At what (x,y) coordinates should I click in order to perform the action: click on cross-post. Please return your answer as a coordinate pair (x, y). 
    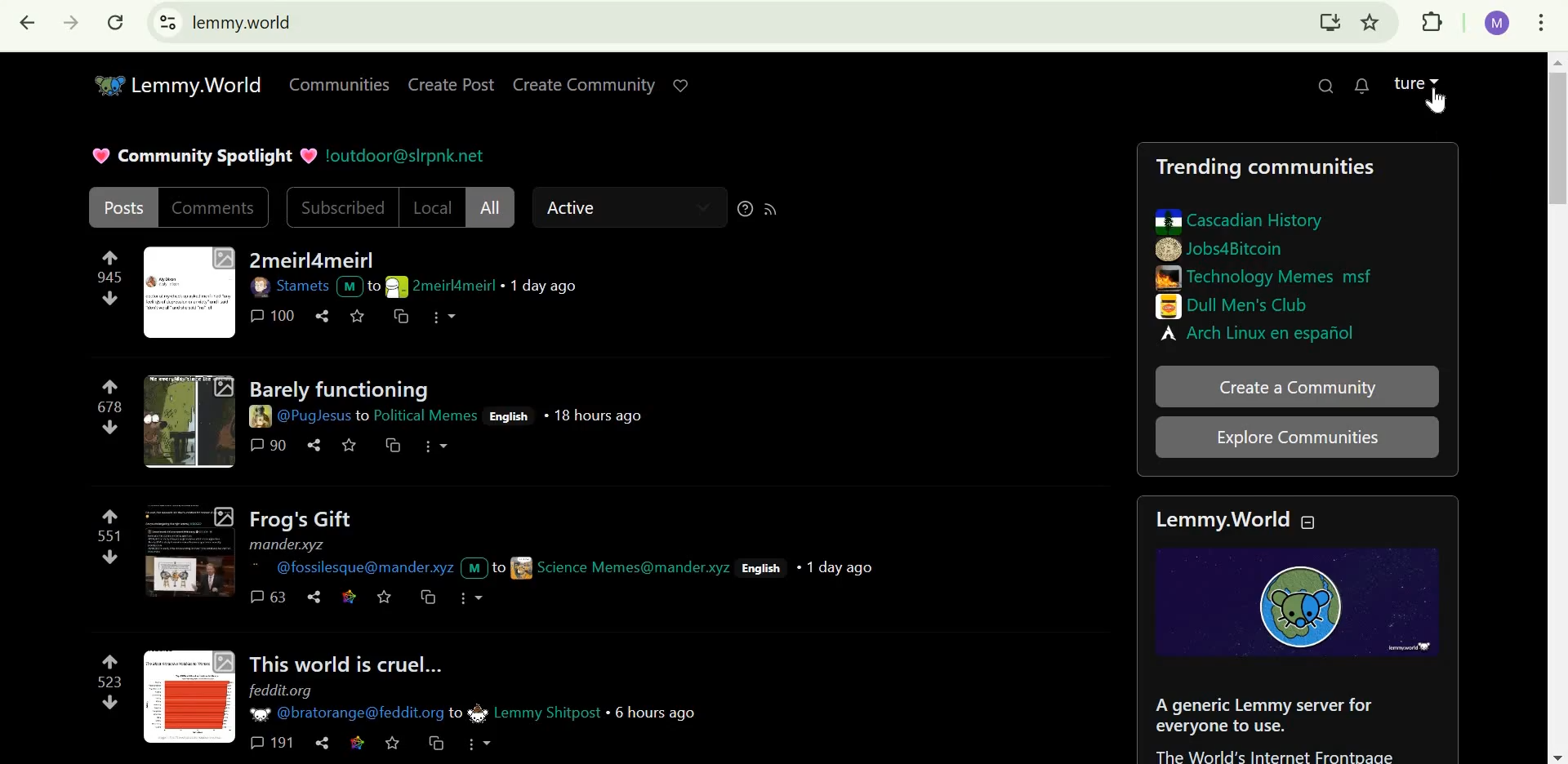
    Looking at the image, I should click on (393, 447).